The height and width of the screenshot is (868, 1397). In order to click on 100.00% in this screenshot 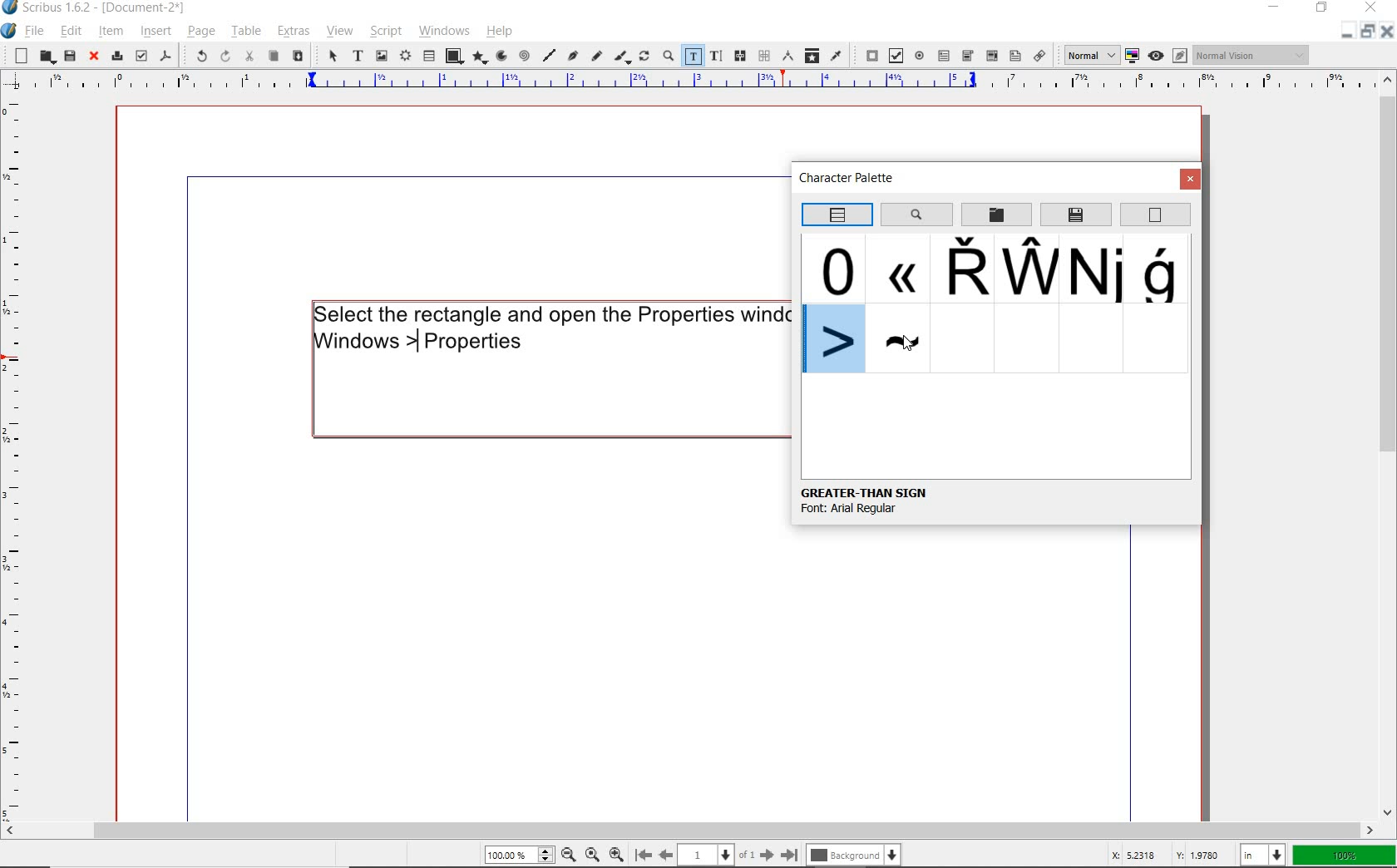, I will do `click(517, 855)`.